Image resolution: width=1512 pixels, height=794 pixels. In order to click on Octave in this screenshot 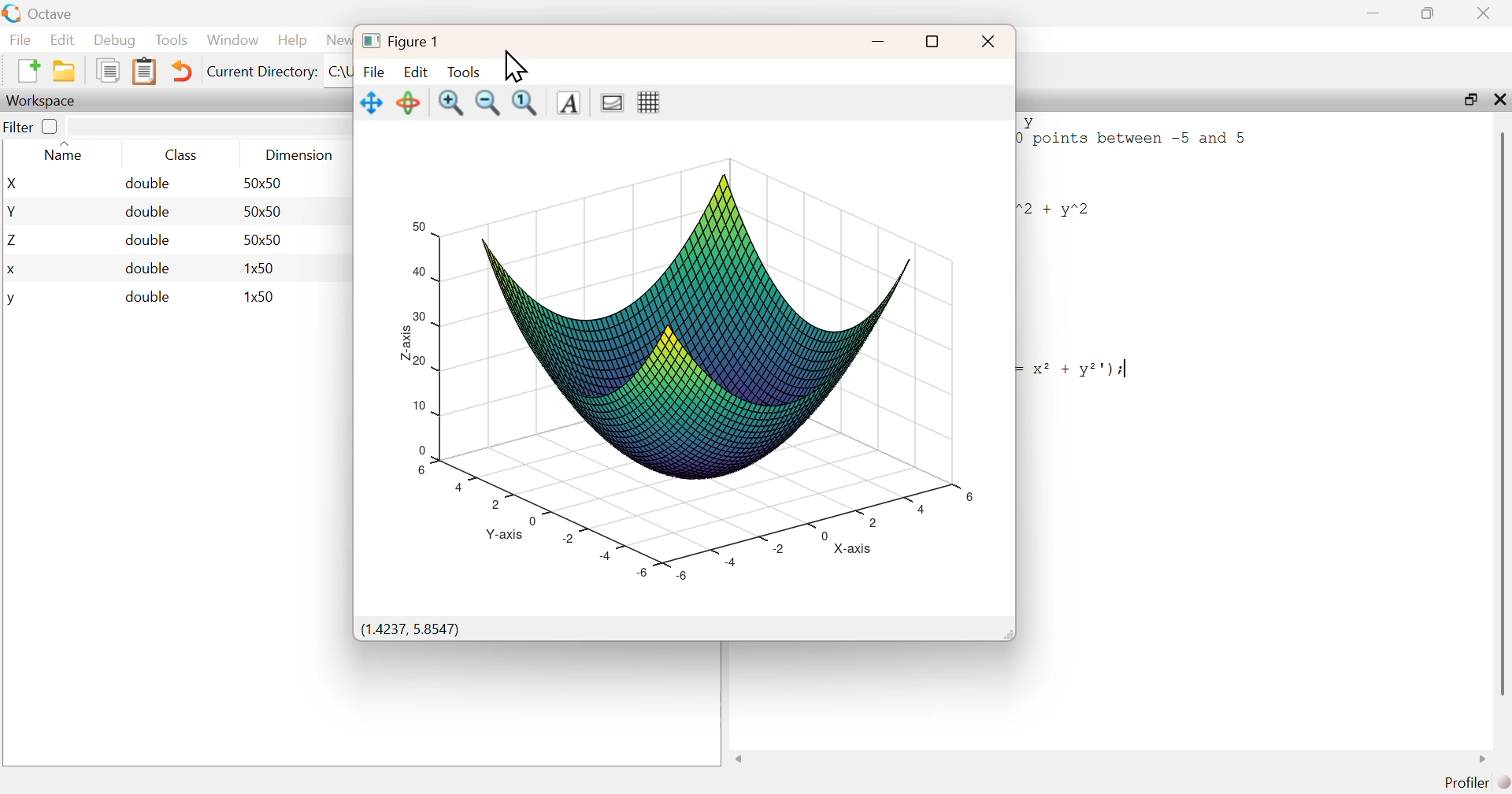, I will do `click(52, 13)`.